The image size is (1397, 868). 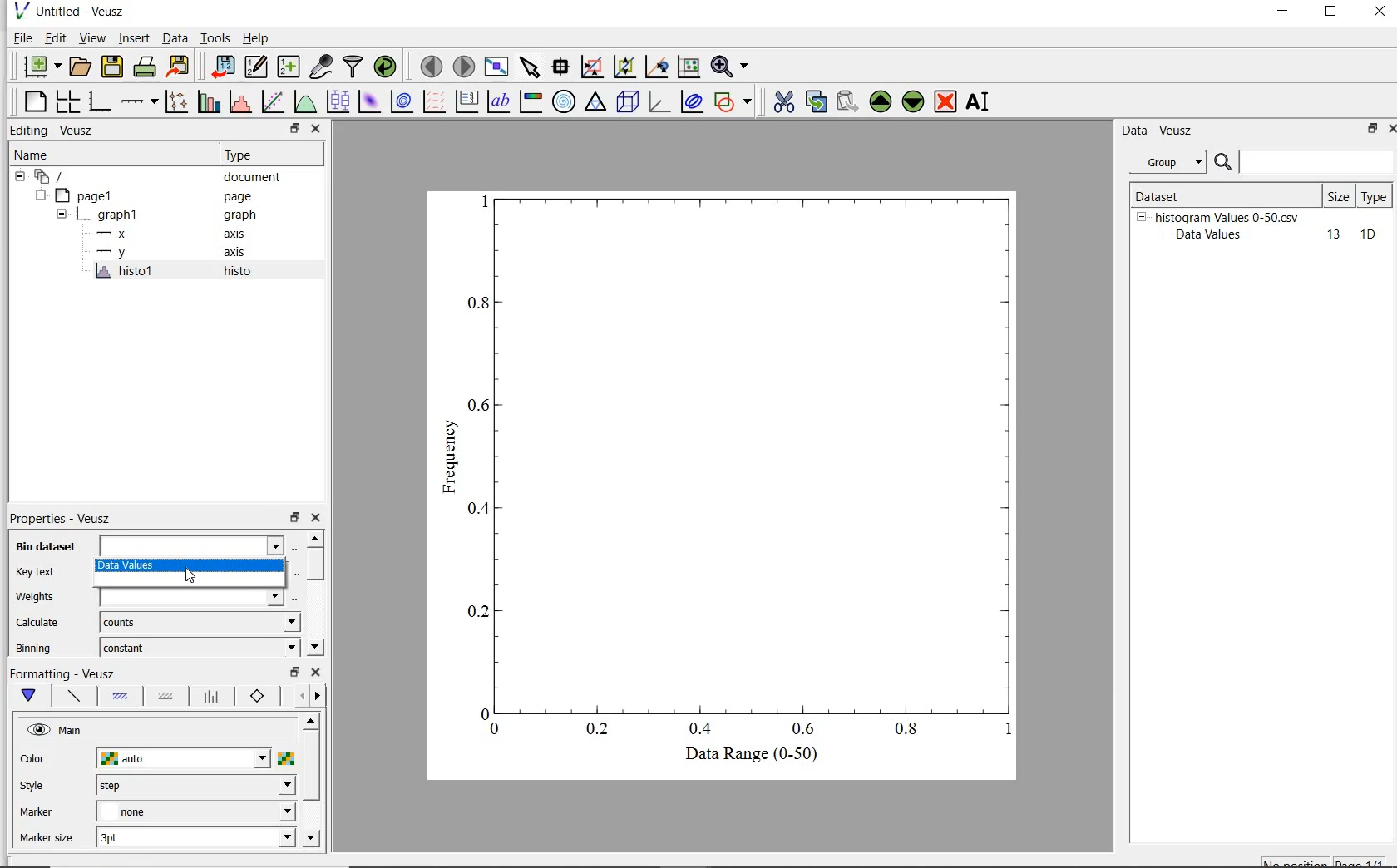 I want to click on 3d graph, so click(x=659, y=102).